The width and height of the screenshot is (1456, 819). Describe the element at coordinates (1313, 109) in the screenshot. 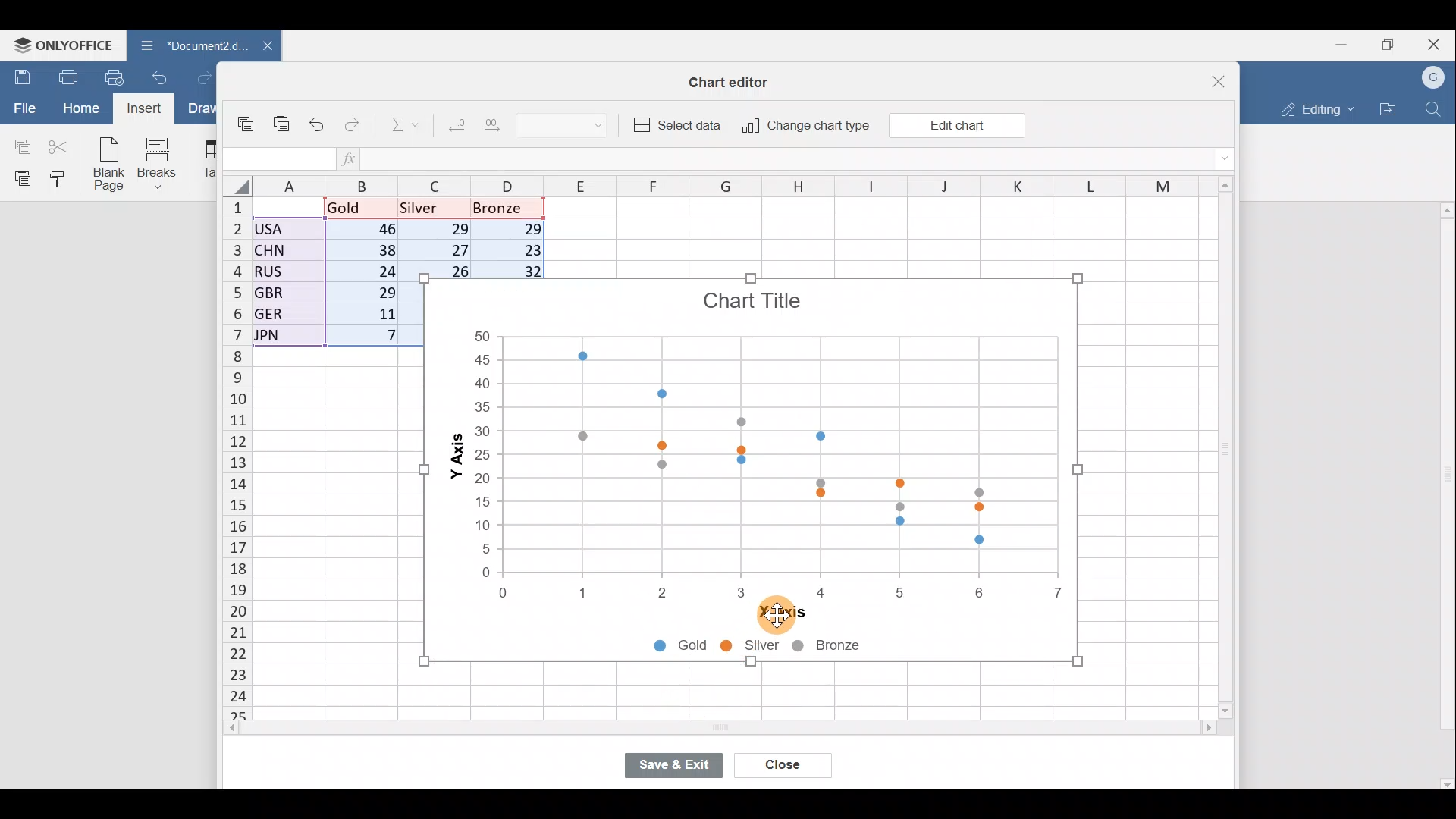

I see `Editing mode` at that location.